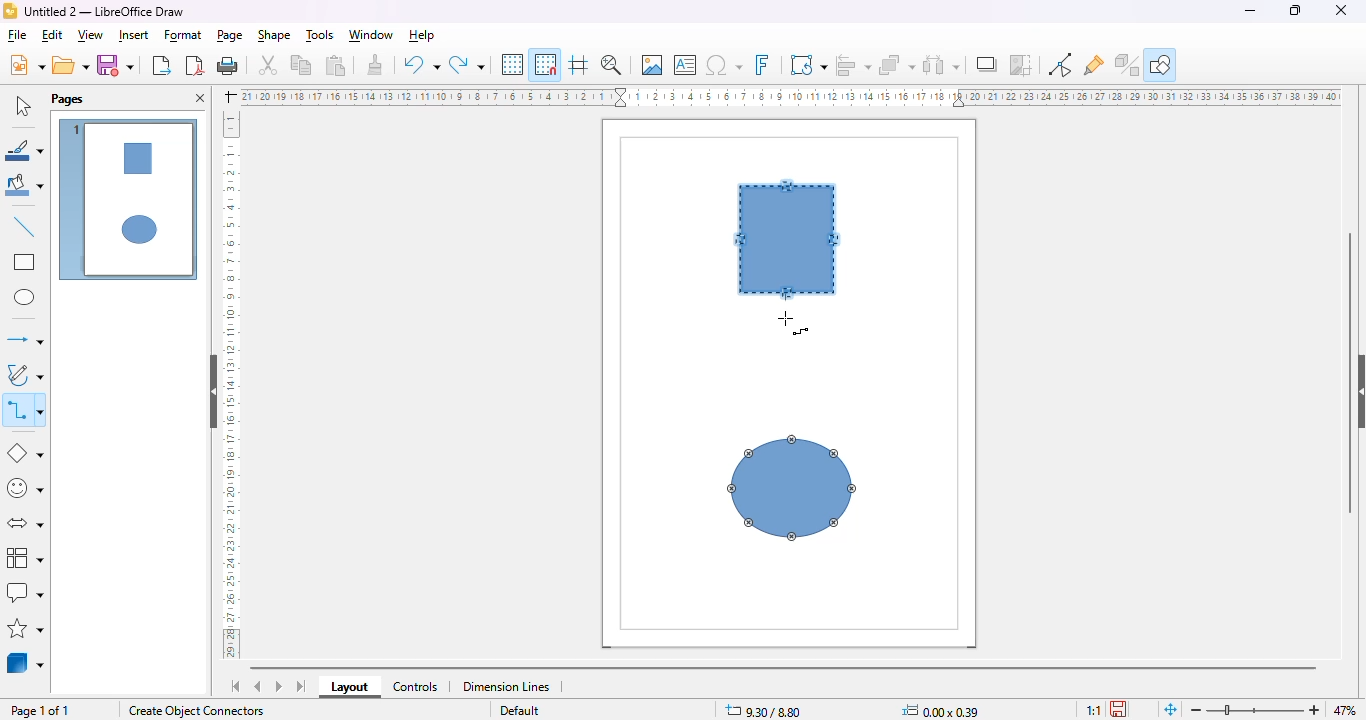  I want to click on symbol shapes, so click(26, 489).